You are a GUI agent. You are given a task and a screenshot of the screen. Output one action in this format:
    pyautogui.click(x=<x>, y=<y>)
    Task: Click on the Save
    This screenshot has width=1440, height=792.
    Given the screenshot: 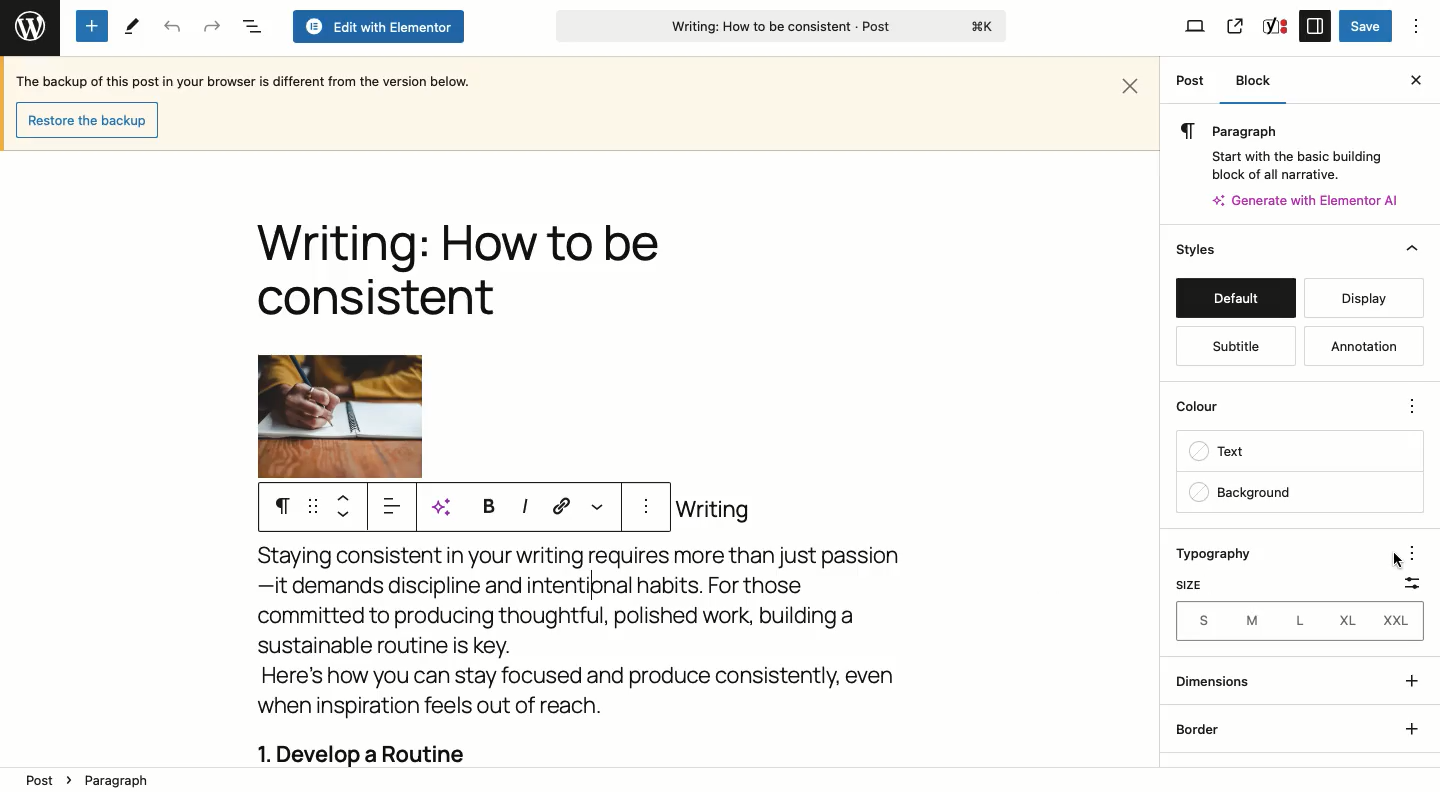 What is the action you would take?
    pyautogui.click(x=1365, y=27)
    